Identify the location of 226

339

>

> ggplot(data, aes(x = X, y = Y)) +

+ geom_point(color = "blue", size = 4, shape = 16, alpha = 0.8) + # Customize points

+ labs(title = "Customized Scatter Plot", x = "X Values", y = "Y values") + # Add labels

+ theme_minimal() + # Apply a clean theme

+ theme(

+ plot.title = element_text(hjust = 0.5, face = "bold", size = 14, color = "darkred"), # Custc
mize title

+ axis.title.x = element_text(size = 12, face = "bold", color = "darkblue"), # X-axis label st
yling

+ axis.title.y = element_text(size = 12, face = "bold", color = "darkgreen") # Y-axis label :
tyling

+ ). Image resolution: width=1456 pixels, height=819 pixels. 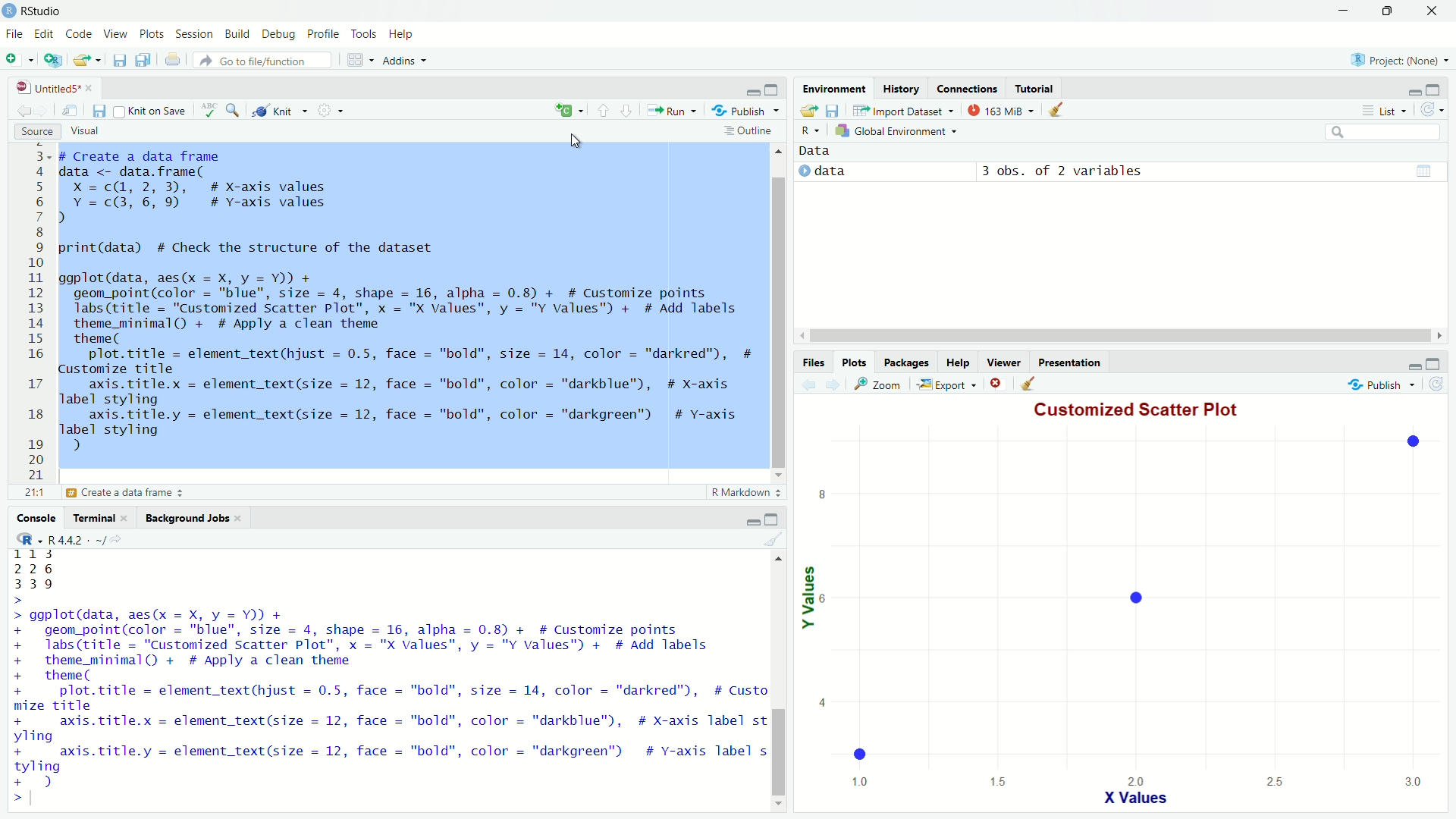
(385, 669).